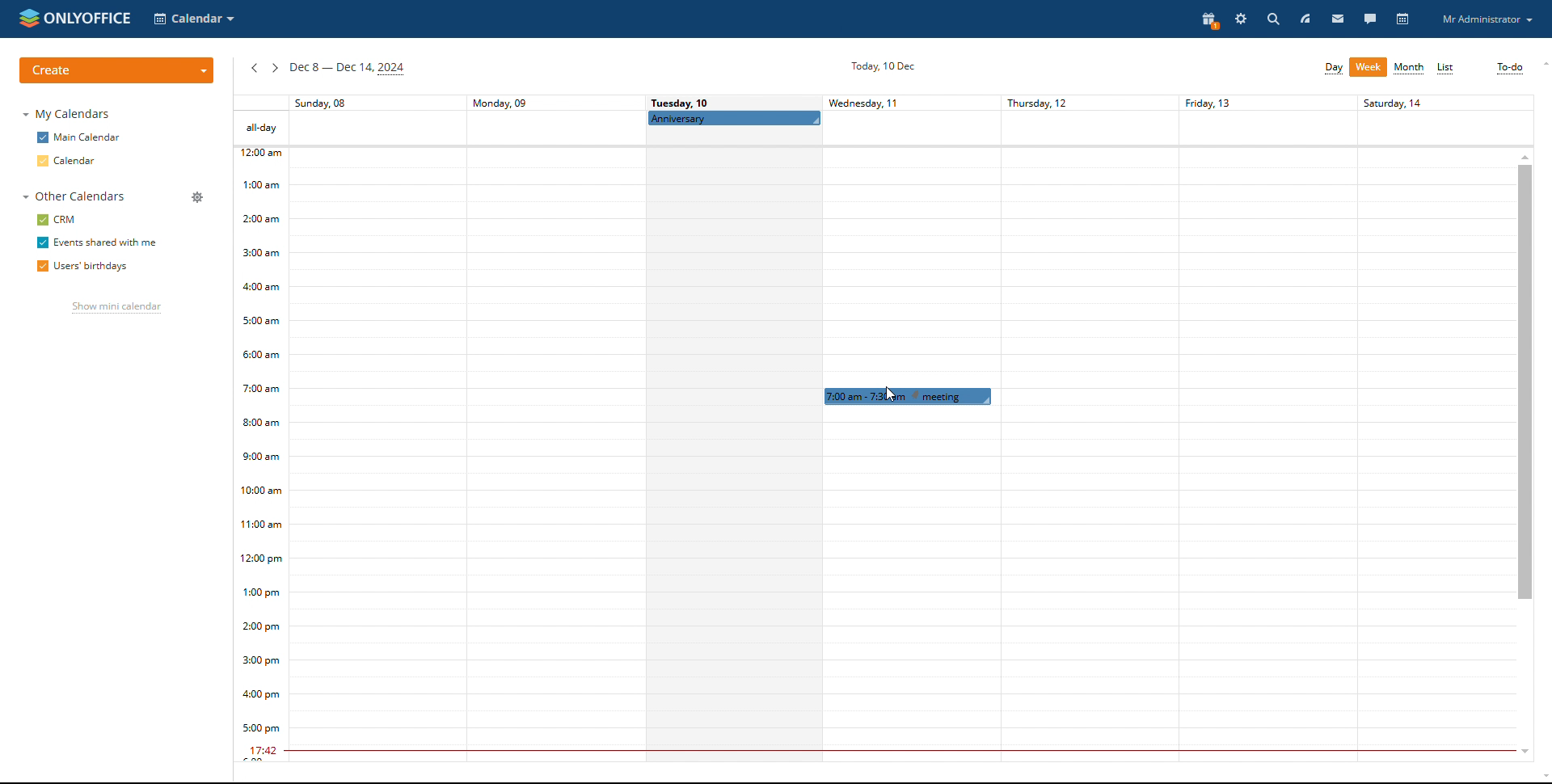  What do you see at coordinates (275, 69) in the screenshot?
I see `next week` at bounding box center [275, 69].